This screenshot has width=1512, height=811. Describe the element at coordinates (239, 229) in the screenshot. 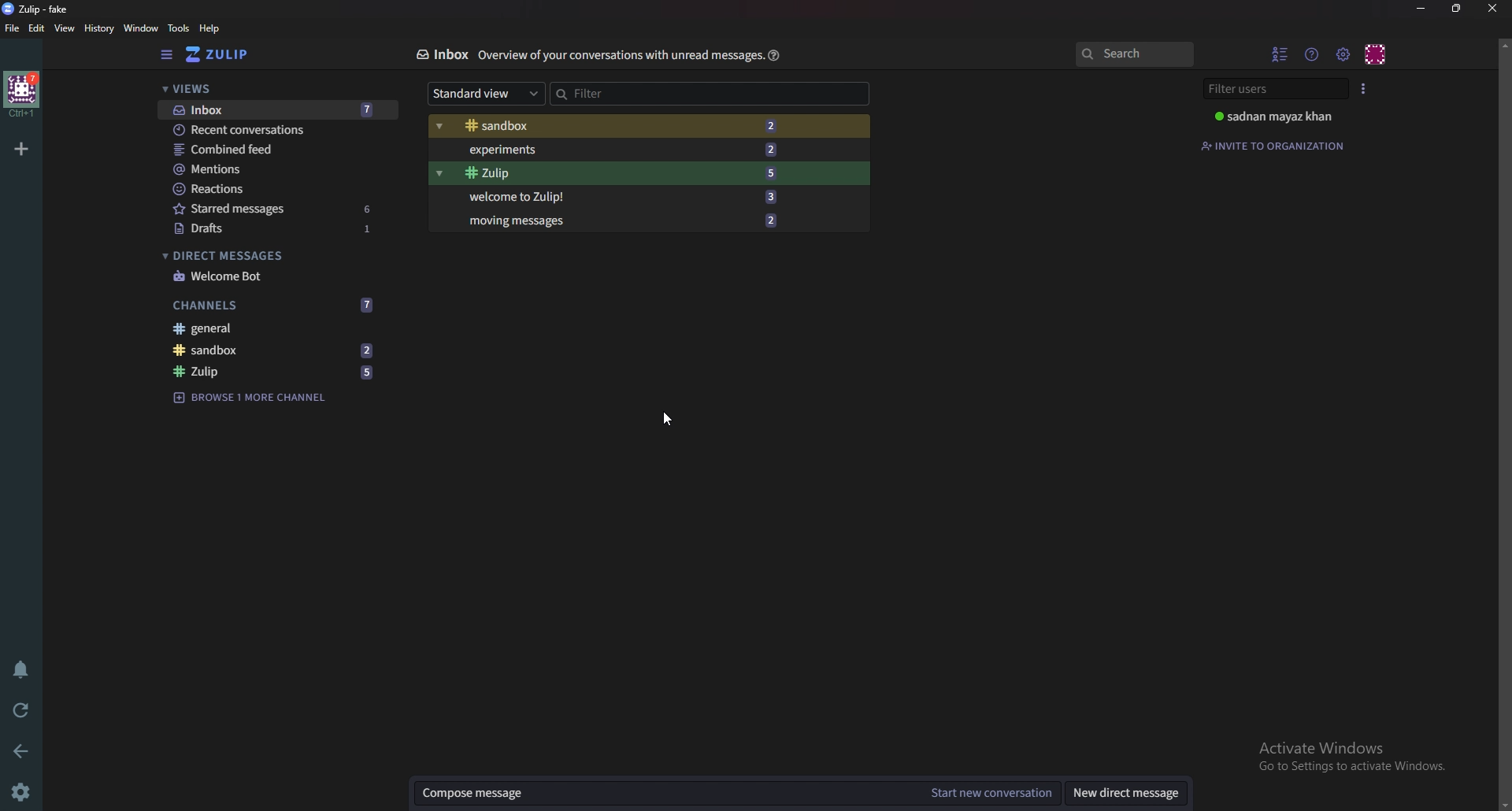

I see `Drafts` at that location.